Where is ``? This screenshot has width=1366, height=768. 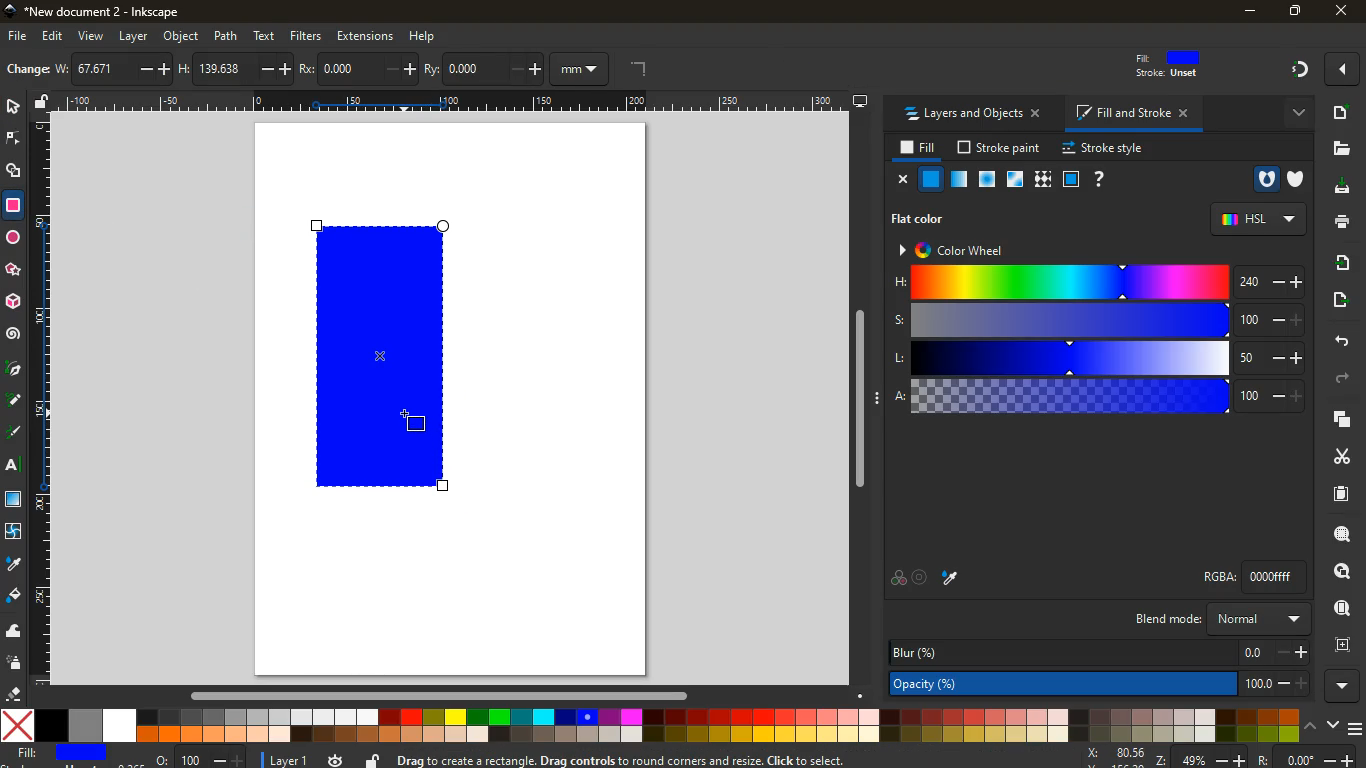
 is located at coordinates (459, 102).